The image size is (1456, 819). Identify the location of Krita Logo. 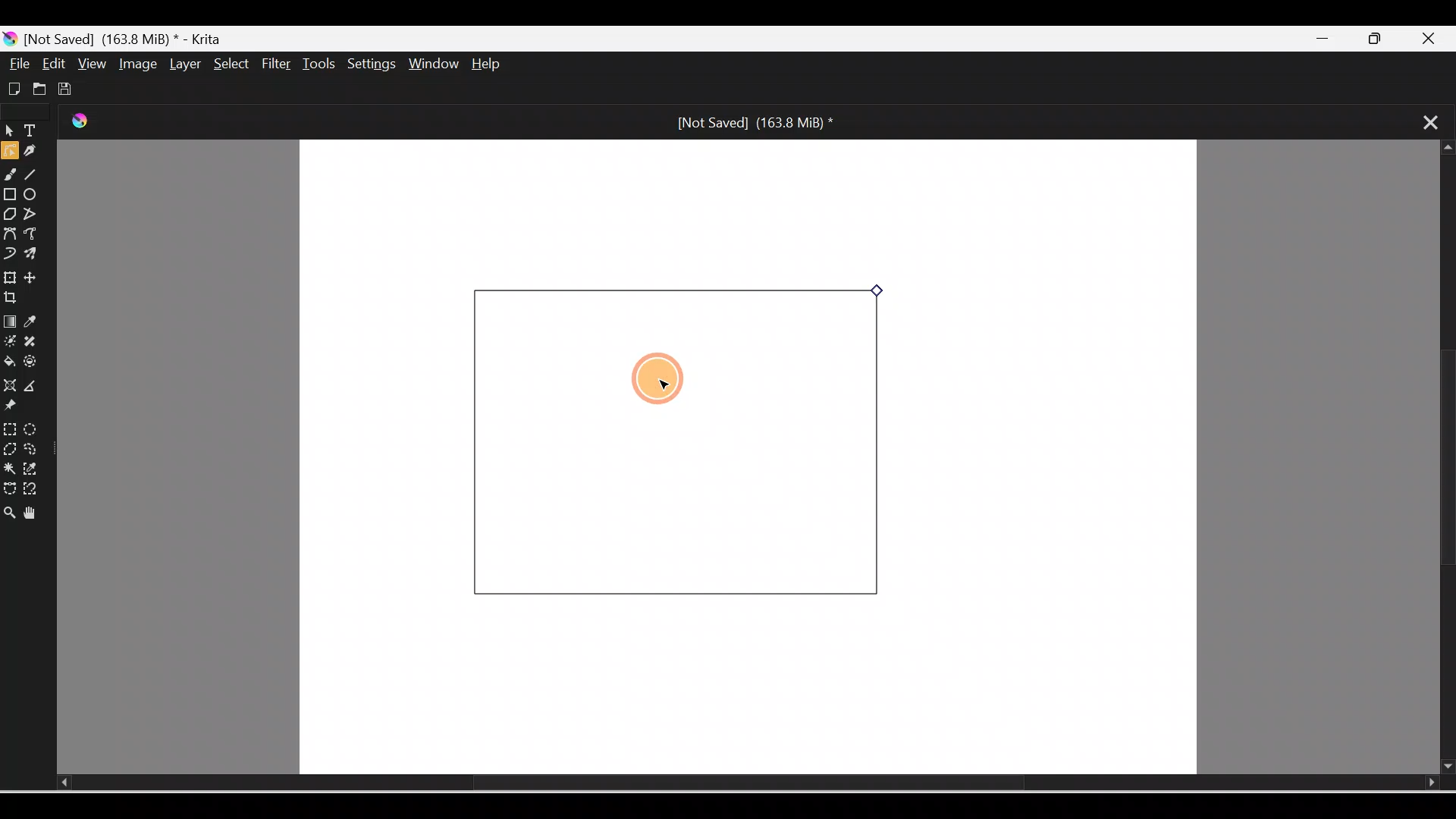
(87, 124).